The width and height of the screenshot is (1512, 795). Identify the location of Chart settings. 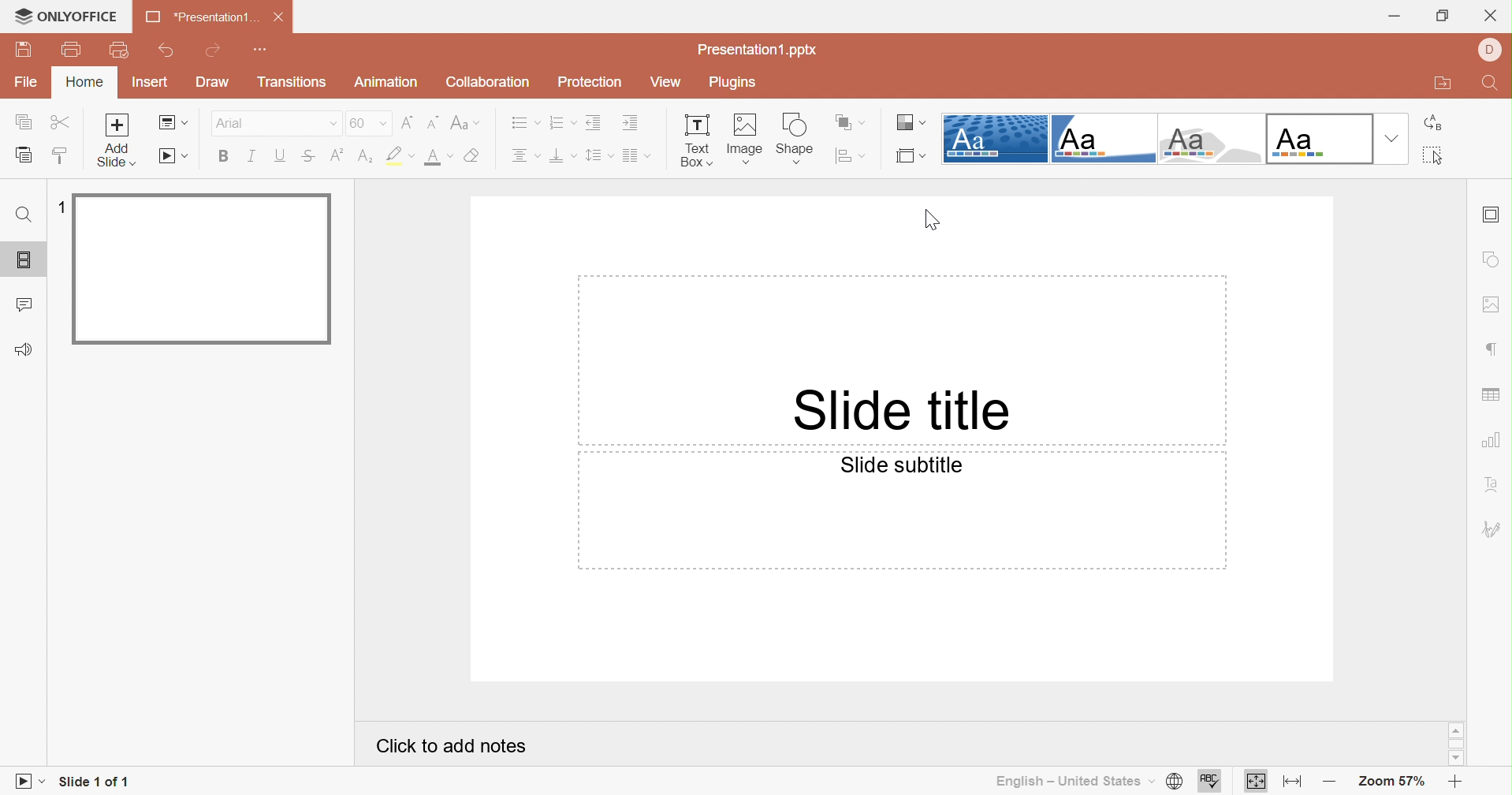
(1494, 439).